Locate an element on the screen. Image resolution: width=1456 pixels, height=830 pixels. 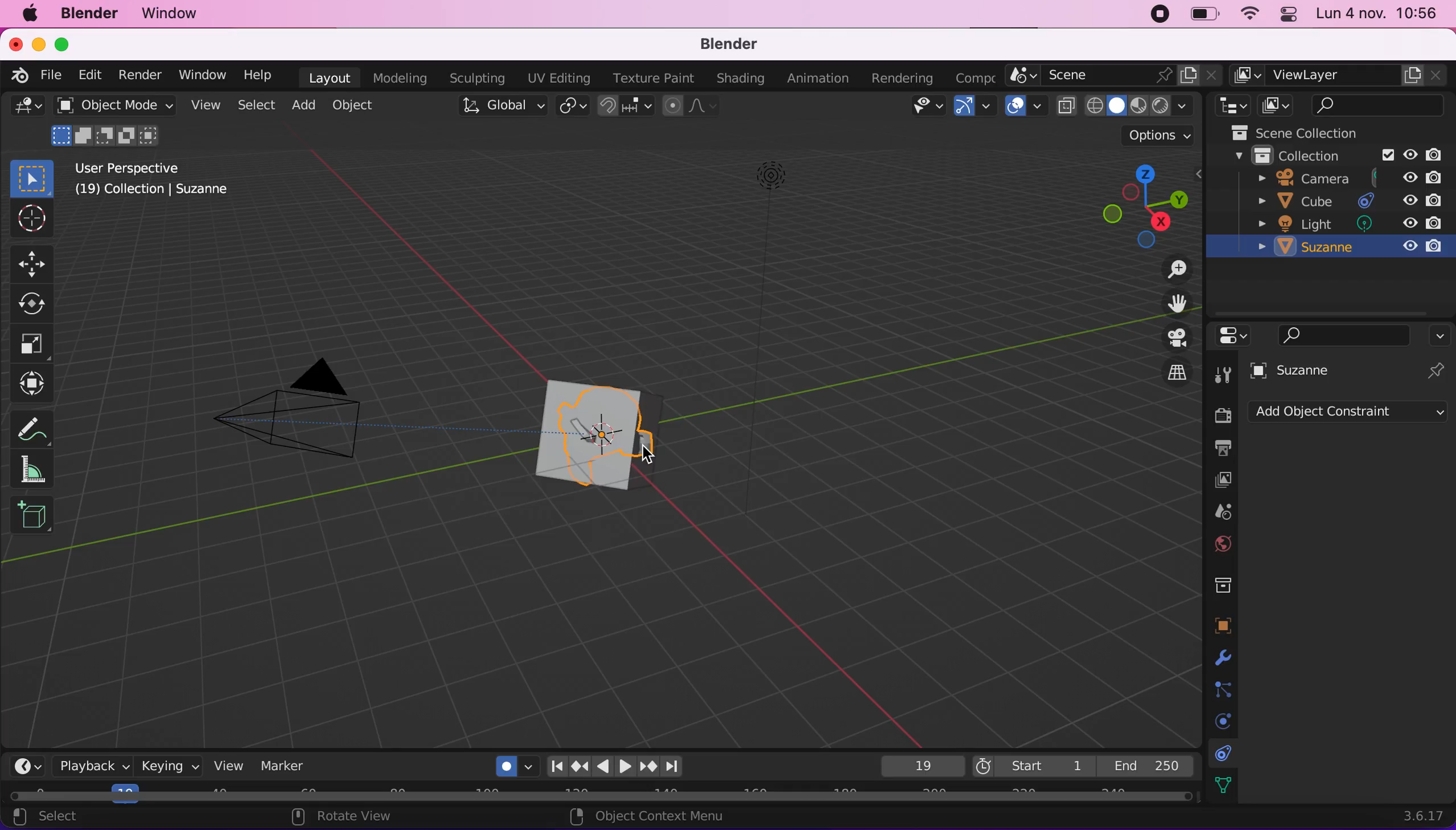
new scene is located at coordinates (1189, 77).